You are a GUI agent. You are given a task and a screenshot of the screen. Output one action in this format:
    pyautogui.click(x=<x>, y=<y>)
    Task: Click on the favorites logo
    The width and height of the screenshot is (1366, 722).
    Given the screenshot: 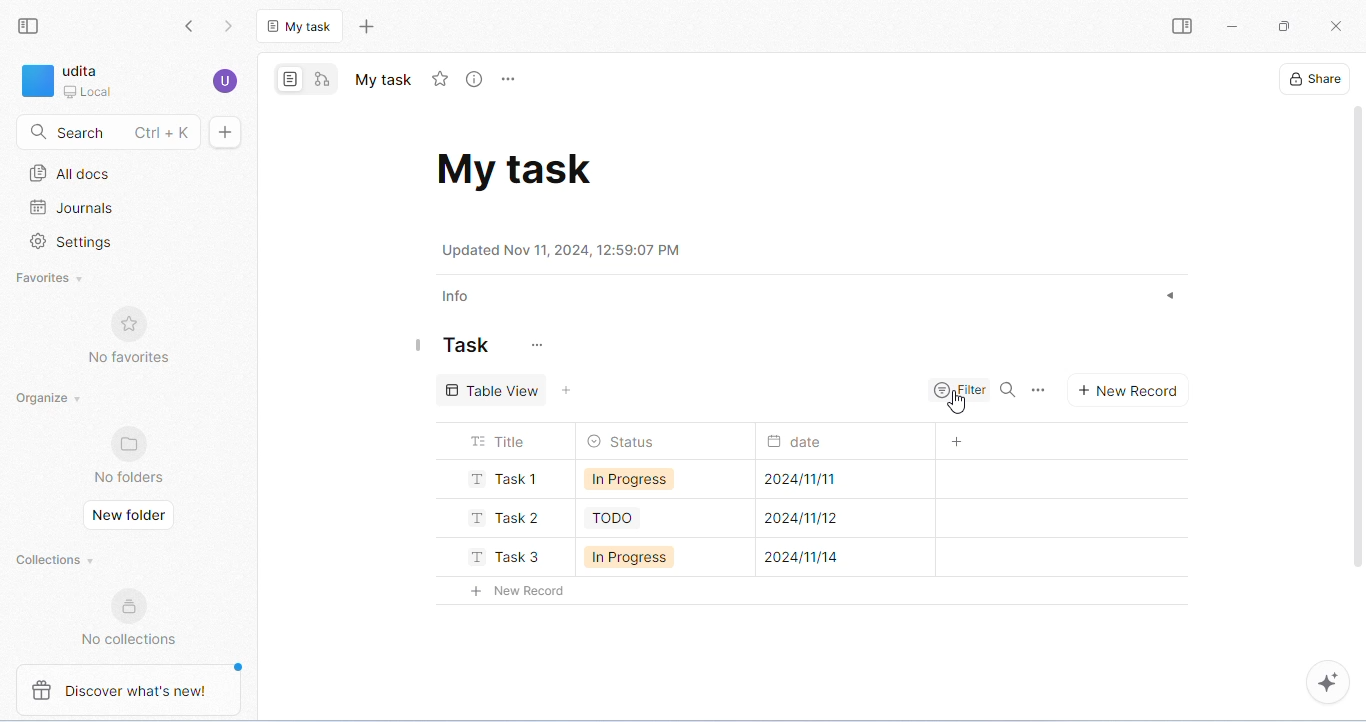 What is the action you would take?
    pyautogui.click(x=125, y=444)
    